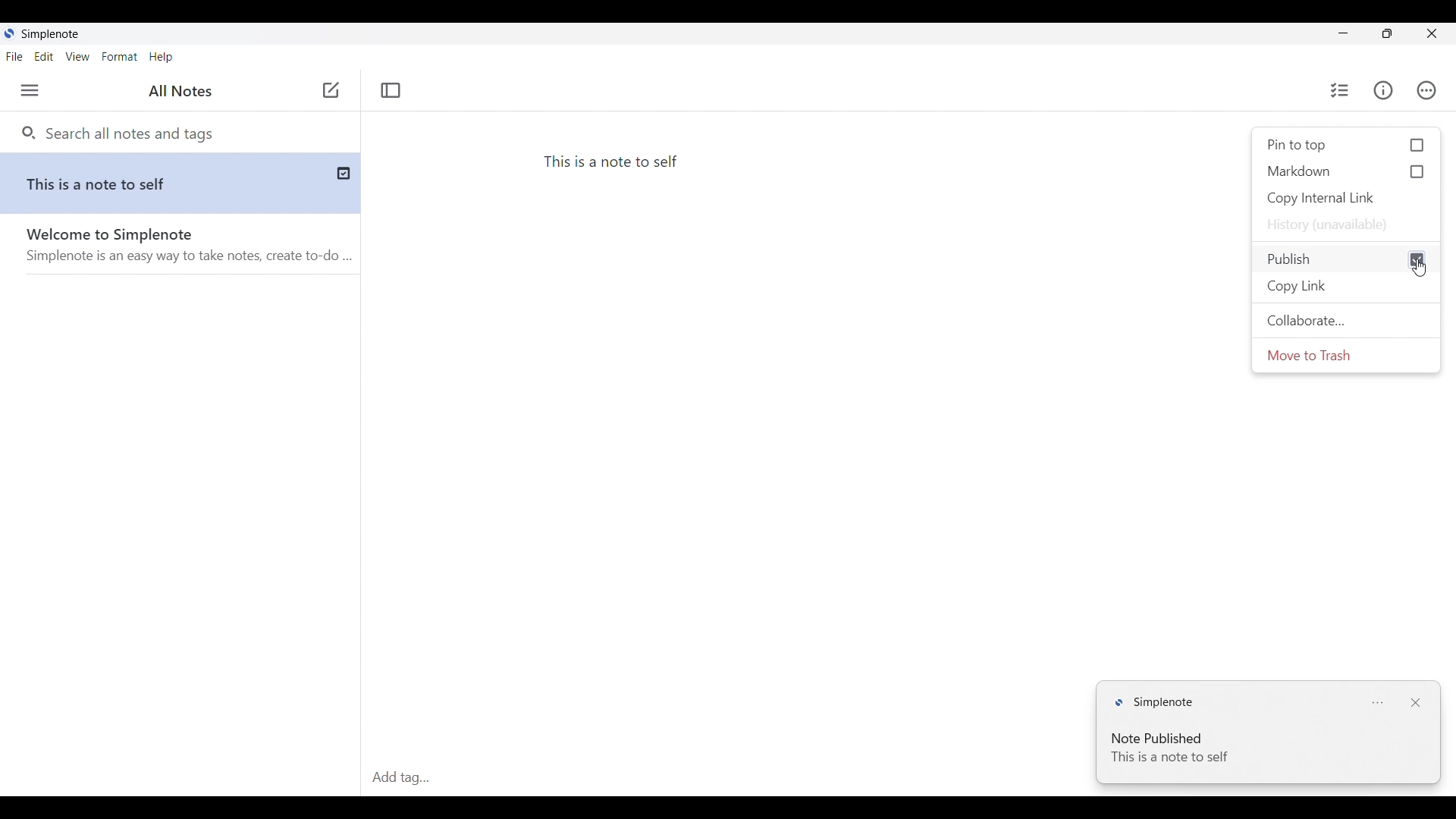  What do you see at coordinates (77, 57) in the screenshot?
I see `View` at bounding box center [77, 57].